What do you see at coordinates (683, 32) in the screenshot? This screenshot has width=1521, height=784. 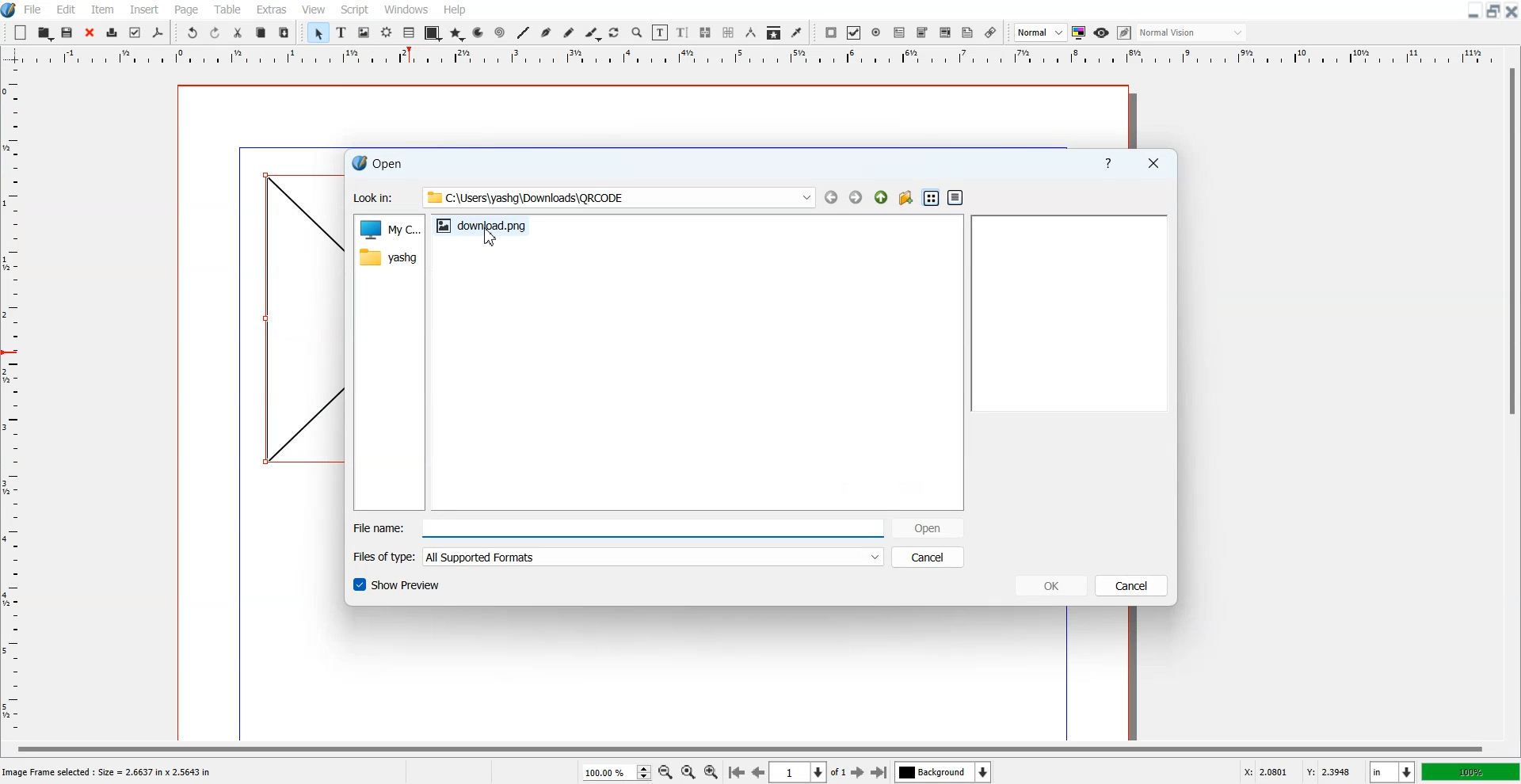 I see `Edit Text` at bounding box center [683, 32].